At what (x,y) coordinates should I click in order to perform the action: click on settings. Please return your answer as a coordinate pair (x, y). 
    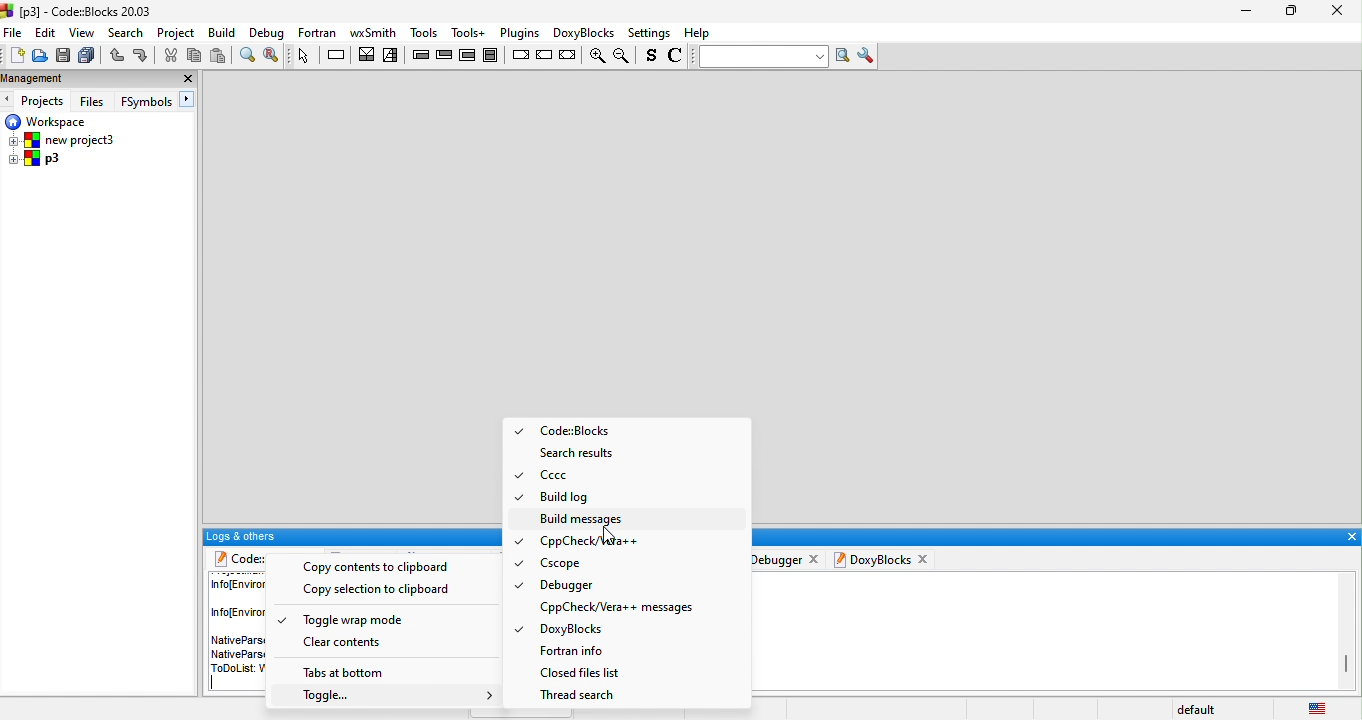
    Looking at the image, I should click on (650, 34).